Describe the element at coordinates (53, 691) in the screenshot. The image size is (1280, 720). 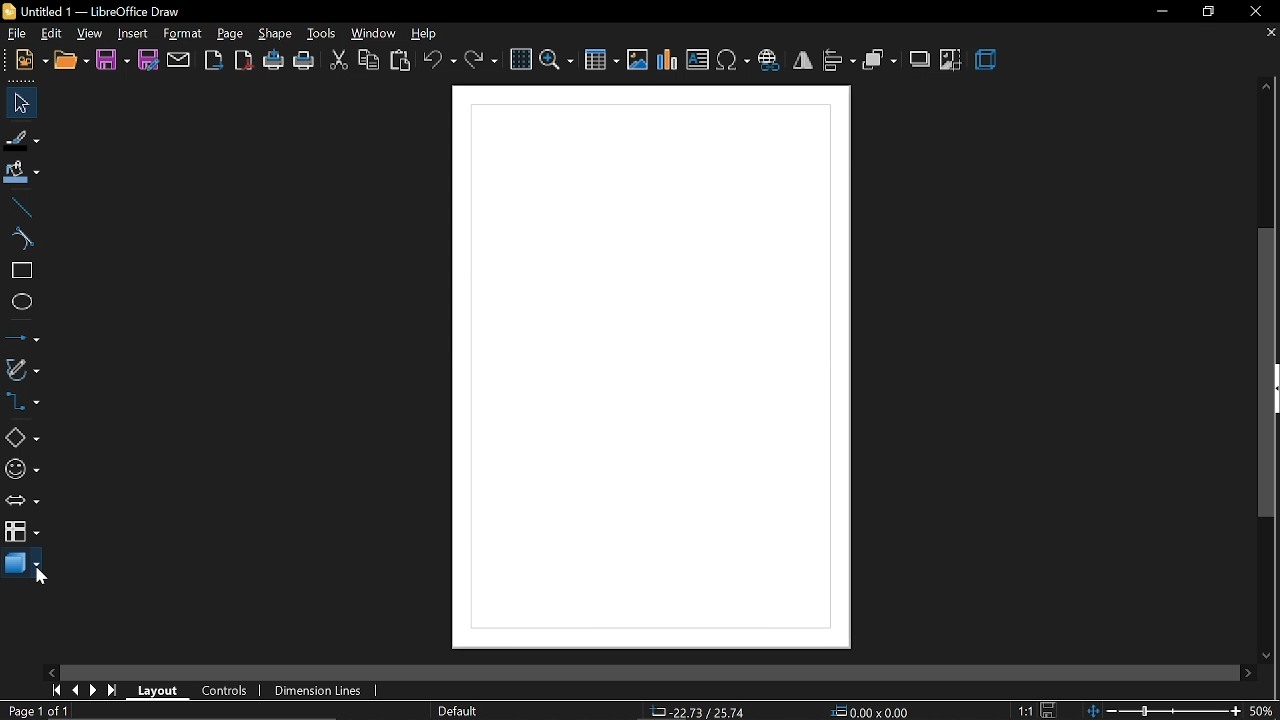
I see `go to first page` at that location.